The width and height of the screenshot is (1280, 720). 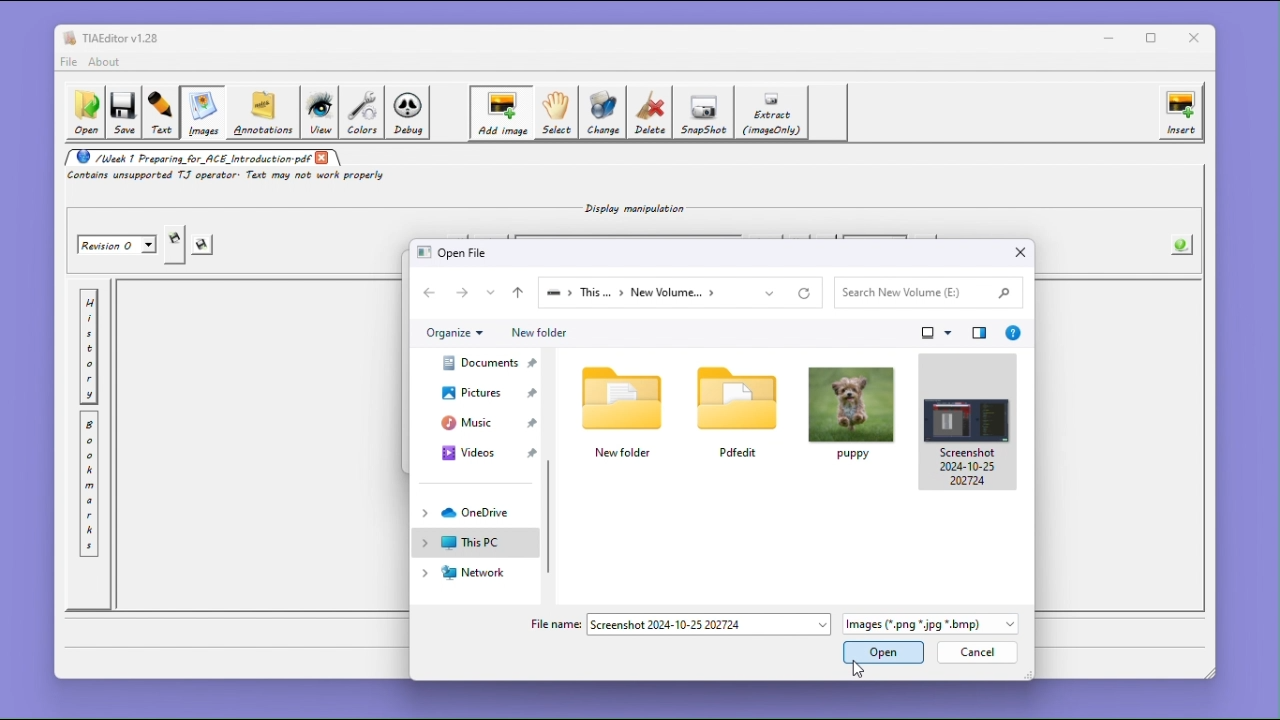 I want to click on New folder, so click(x=537, y=333).